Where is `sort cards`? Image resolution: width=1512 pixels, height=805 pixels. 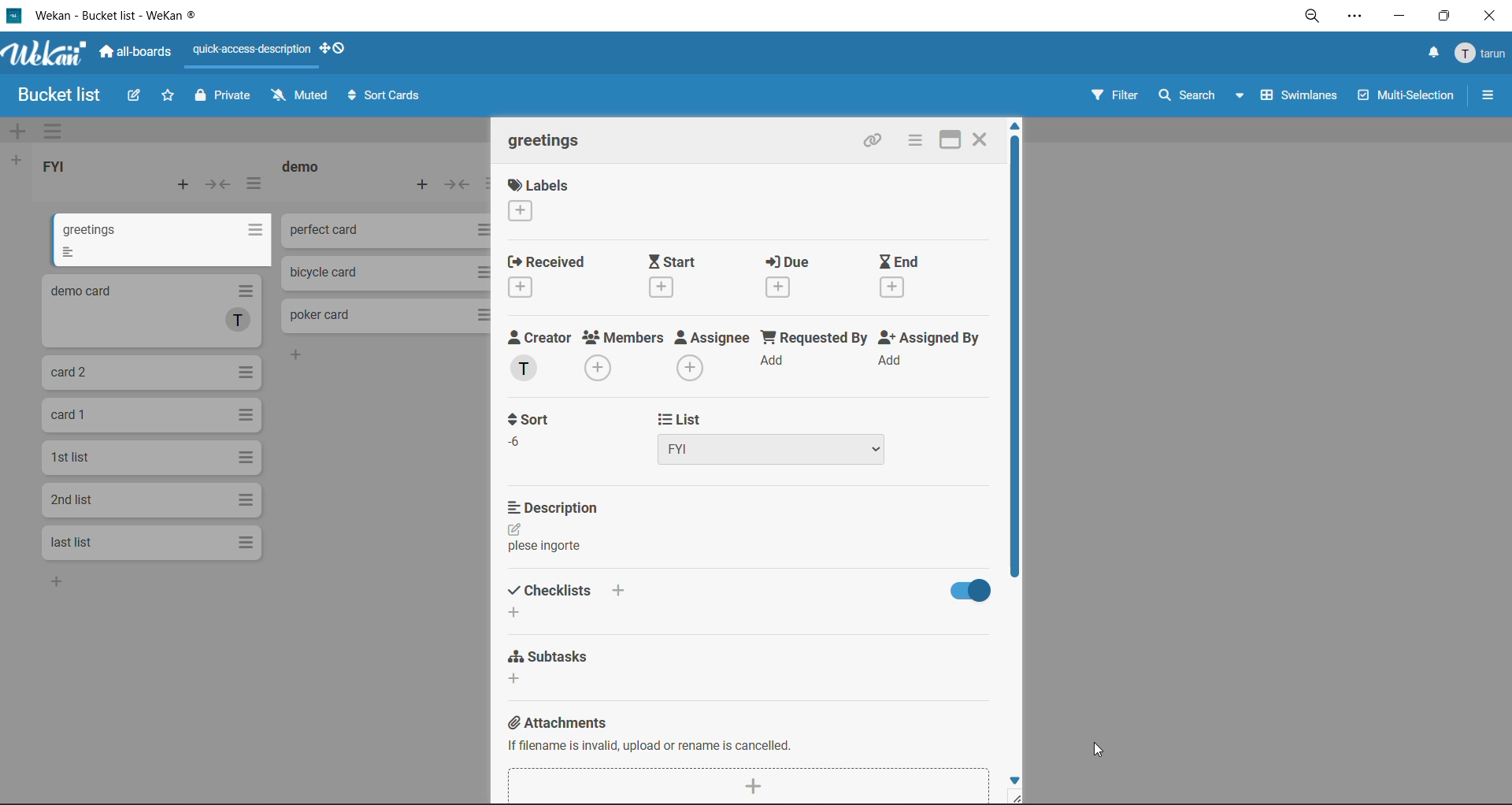 sort cards is located at coordinates (387, 95).